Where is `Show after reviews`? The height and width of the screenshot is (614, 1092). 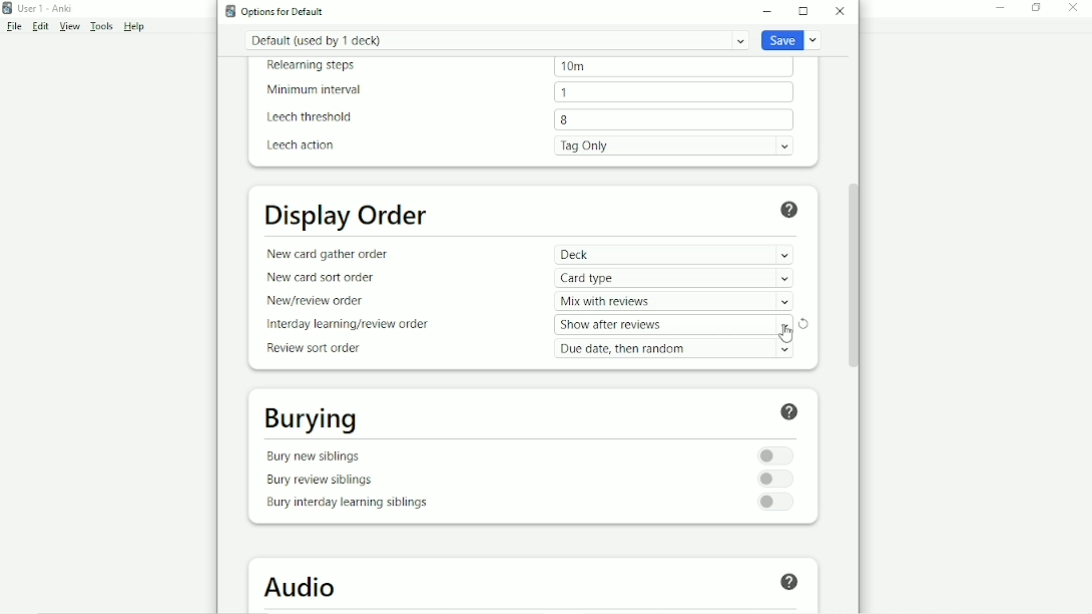
Show after reviews is located at coordinates (674, 325).